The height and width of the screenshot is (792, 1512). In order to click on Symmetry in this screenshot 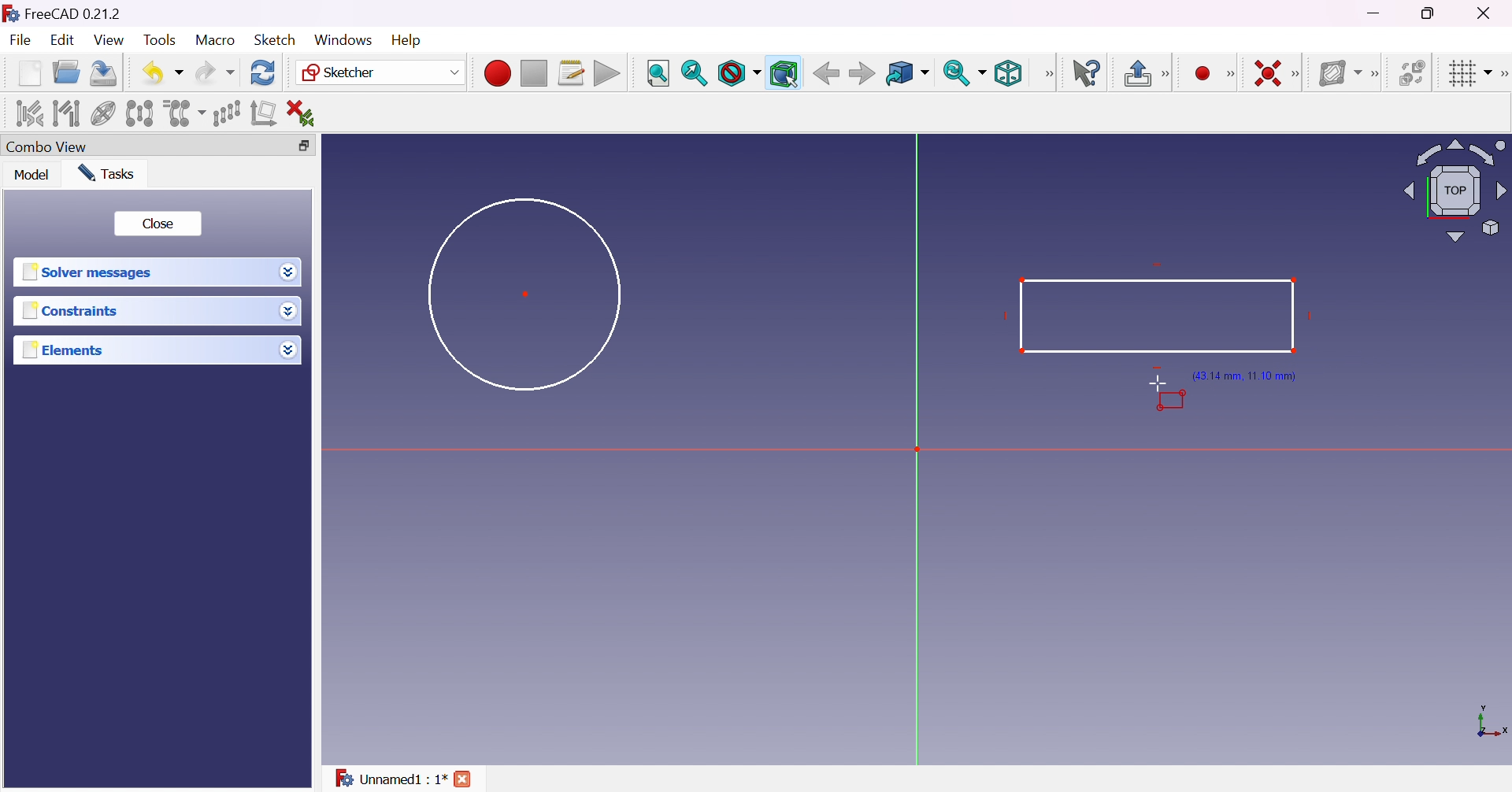, I will do `click(140, 113)`.